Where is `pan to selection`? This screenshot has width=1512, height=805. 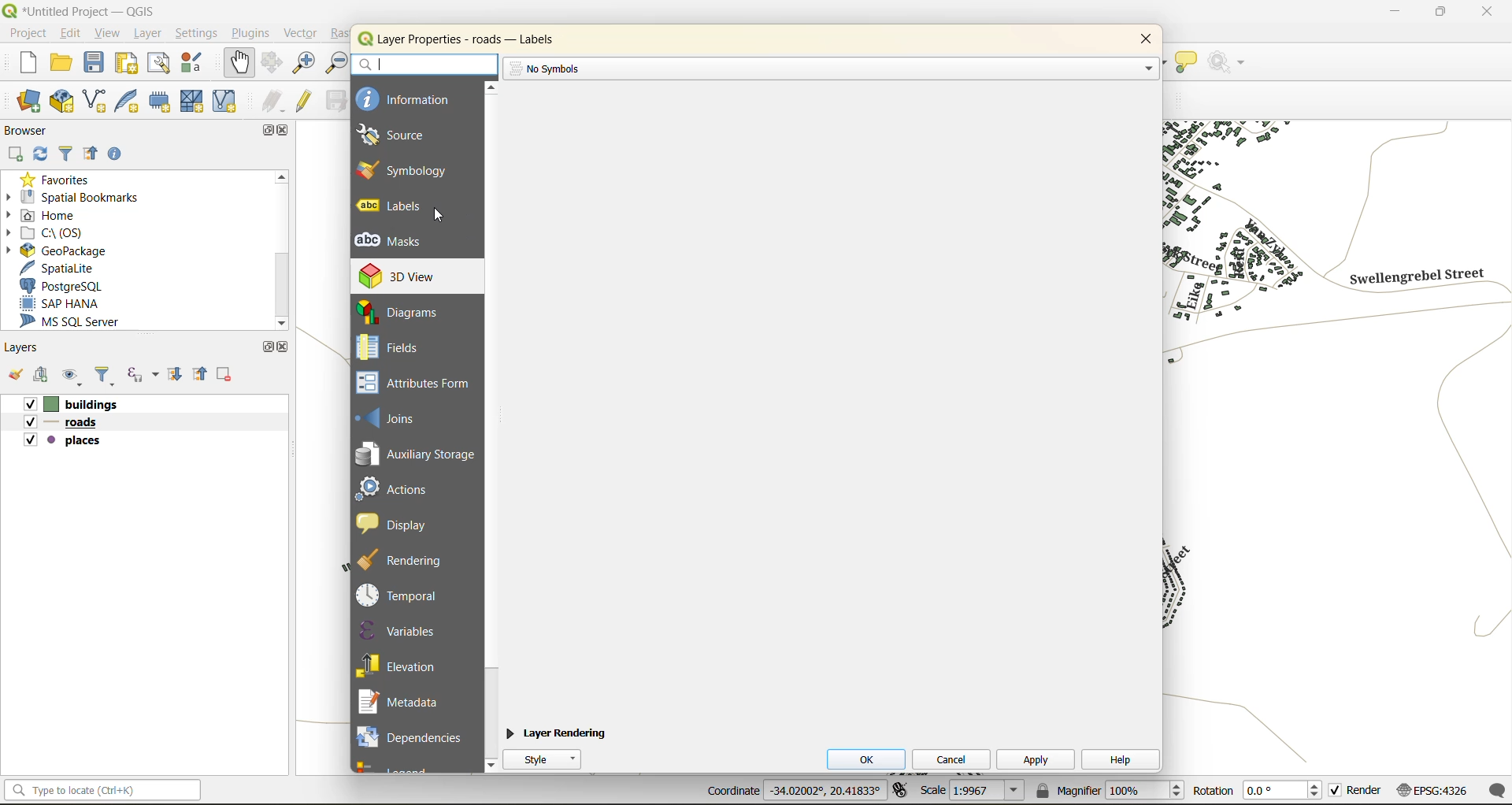 pan to selection is located at coordinates (272, 64).